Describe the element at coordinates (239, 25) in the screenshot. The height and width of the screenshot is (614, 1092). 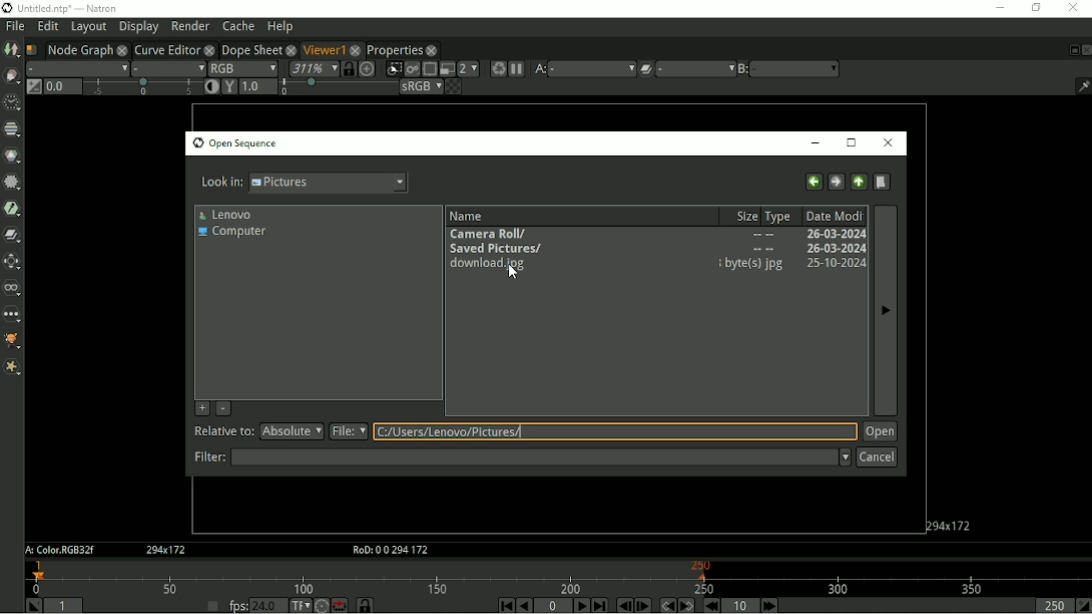
I see `Cache` at that location.